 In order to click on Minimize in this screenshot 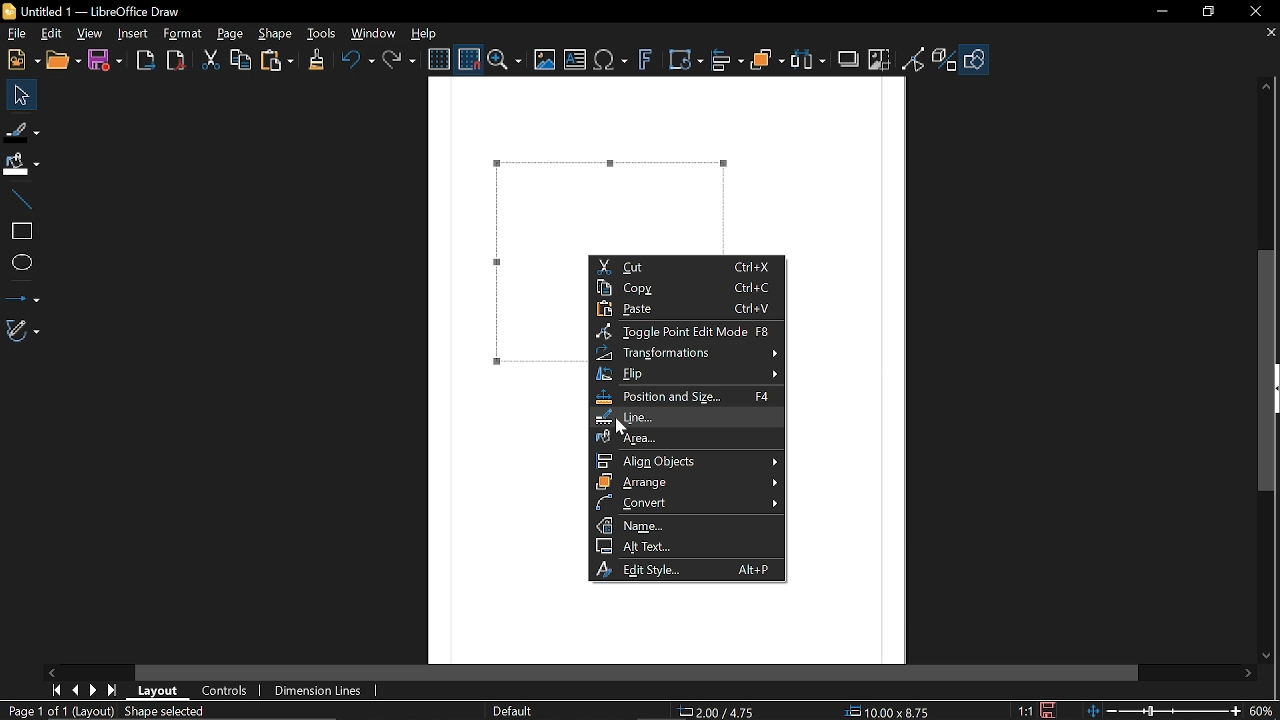, I will do `click(1164, 12)`.